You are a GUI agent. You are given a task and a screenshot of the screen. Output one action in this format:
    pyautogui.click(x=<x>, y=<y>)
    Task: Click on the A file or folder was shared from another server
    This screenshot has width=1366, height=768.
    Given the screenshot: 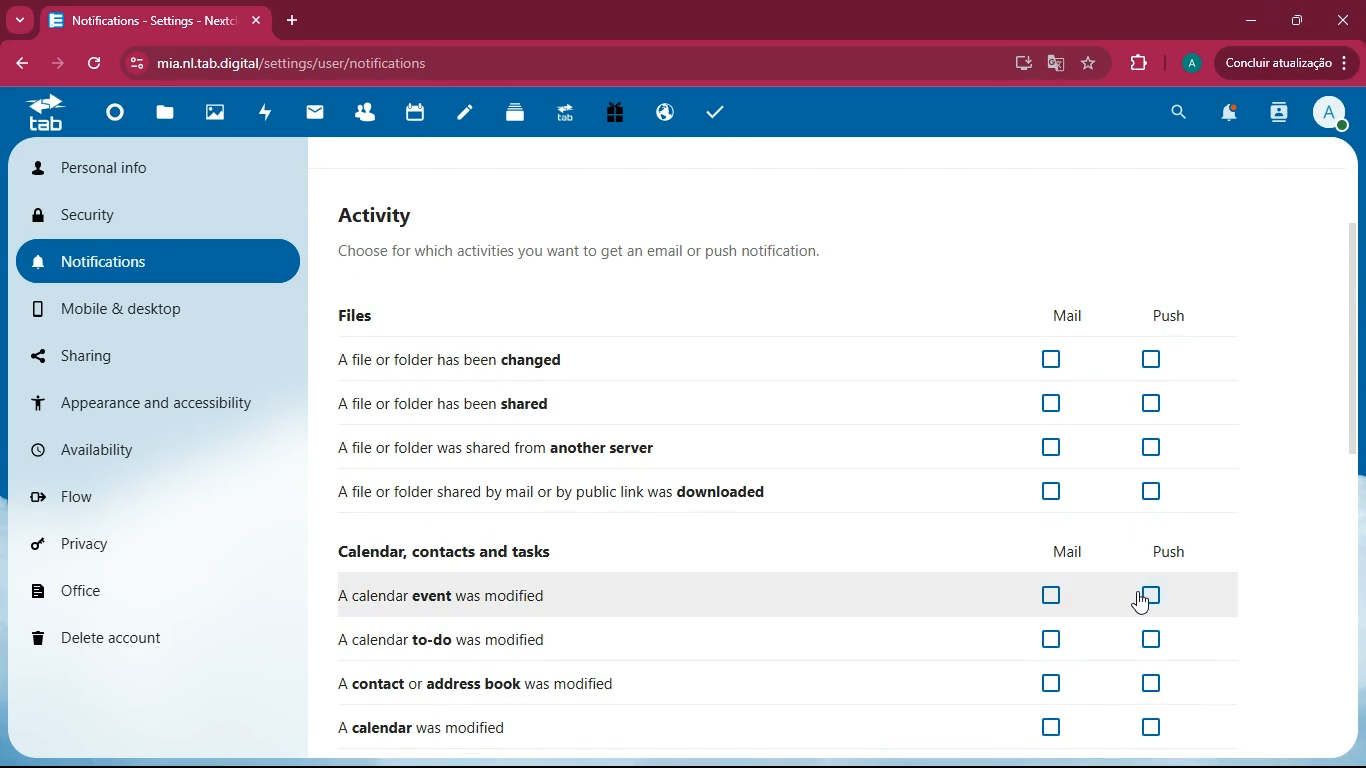 What is the action you would take?
    pyautogui.click(x=500, y=447)
    